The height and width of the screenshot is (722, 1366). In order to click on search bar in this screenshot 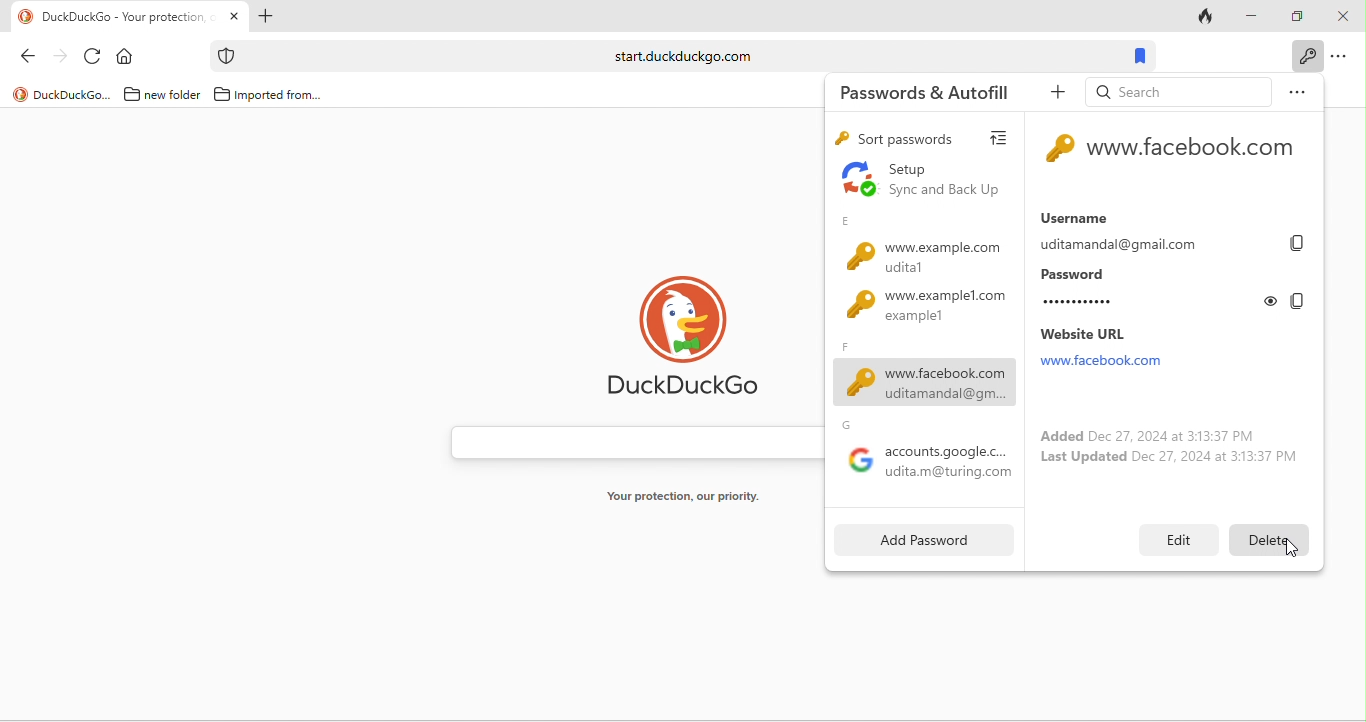, I will do `click(677, 56)`.